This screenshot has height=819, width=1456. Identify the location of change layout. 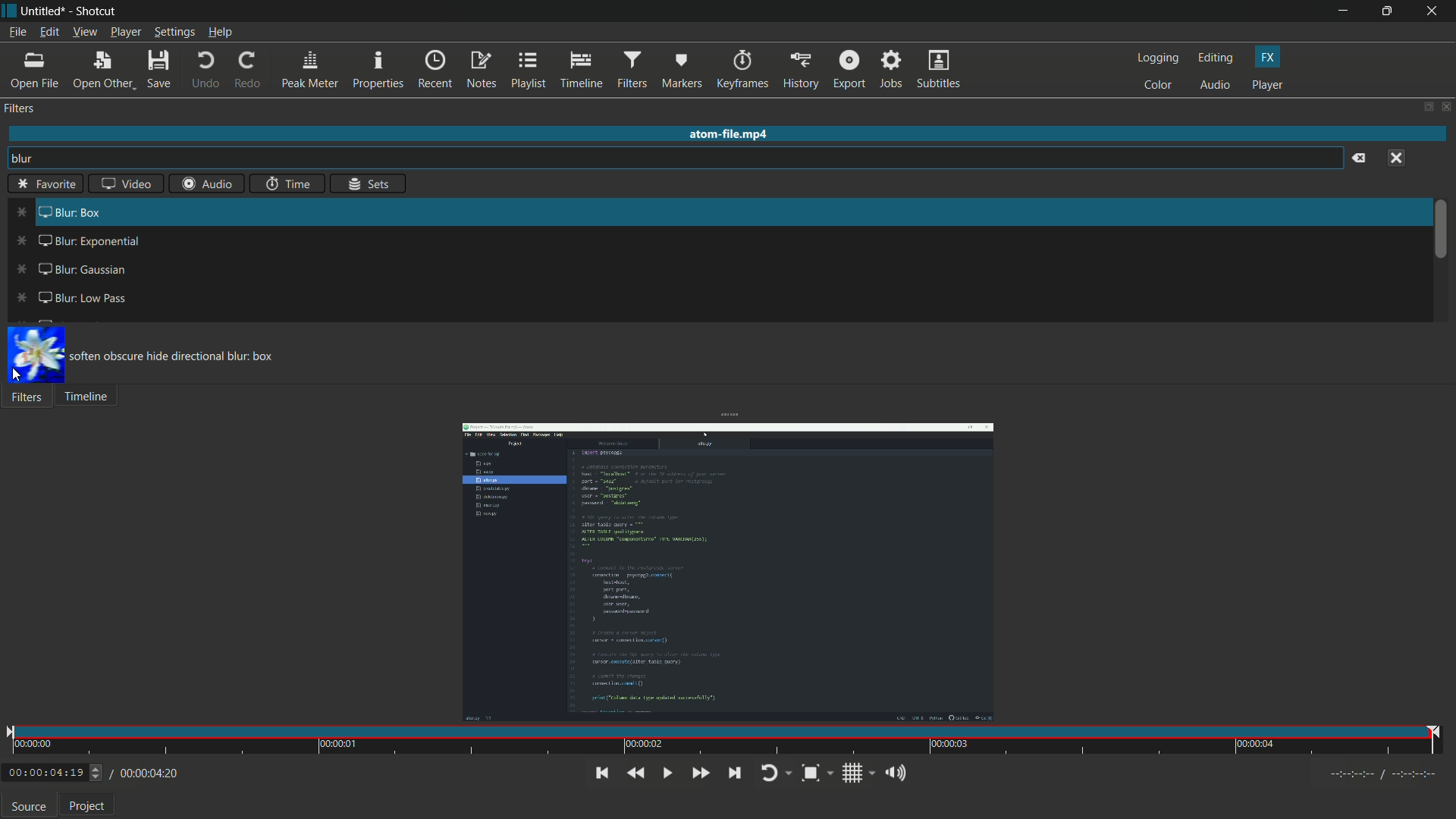
(1423, 106).